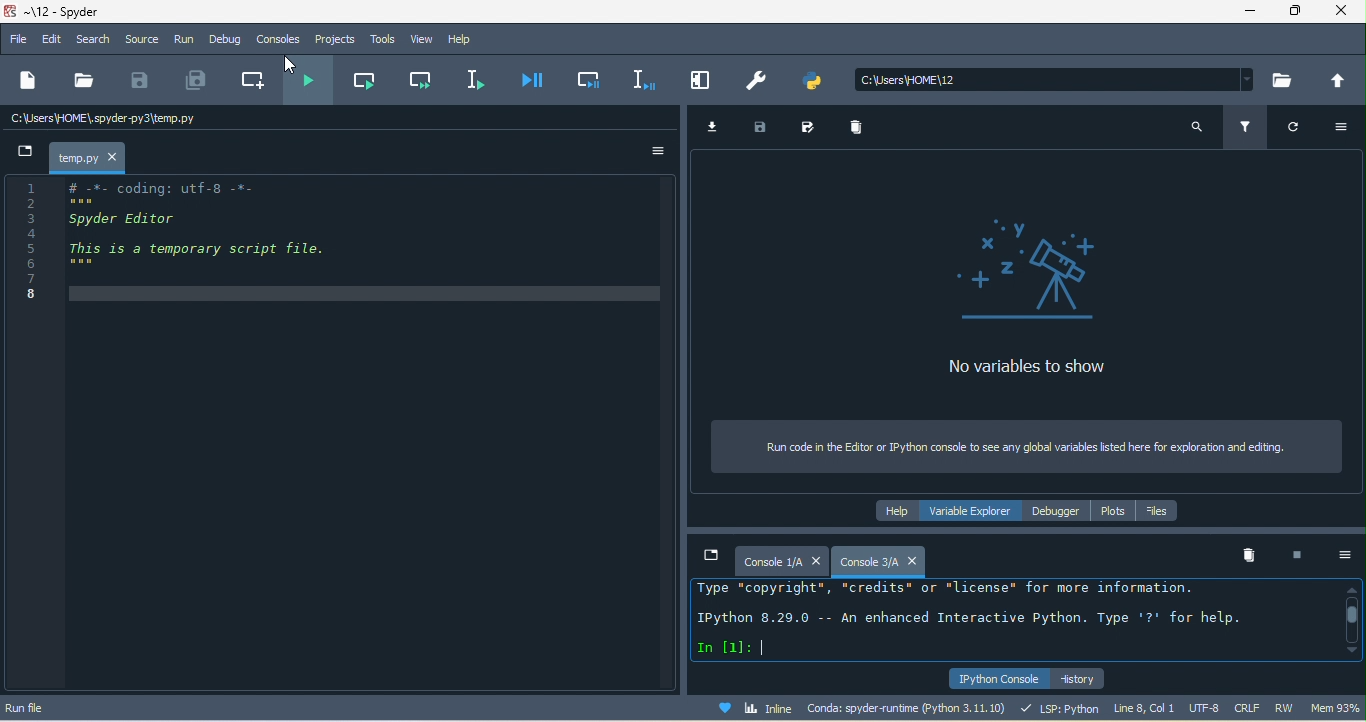 The width and height of the screenshot is (1366, 722). Describe the element at coordinates (1022, 297) in the screenshot. I see `no variables to show` at that location.